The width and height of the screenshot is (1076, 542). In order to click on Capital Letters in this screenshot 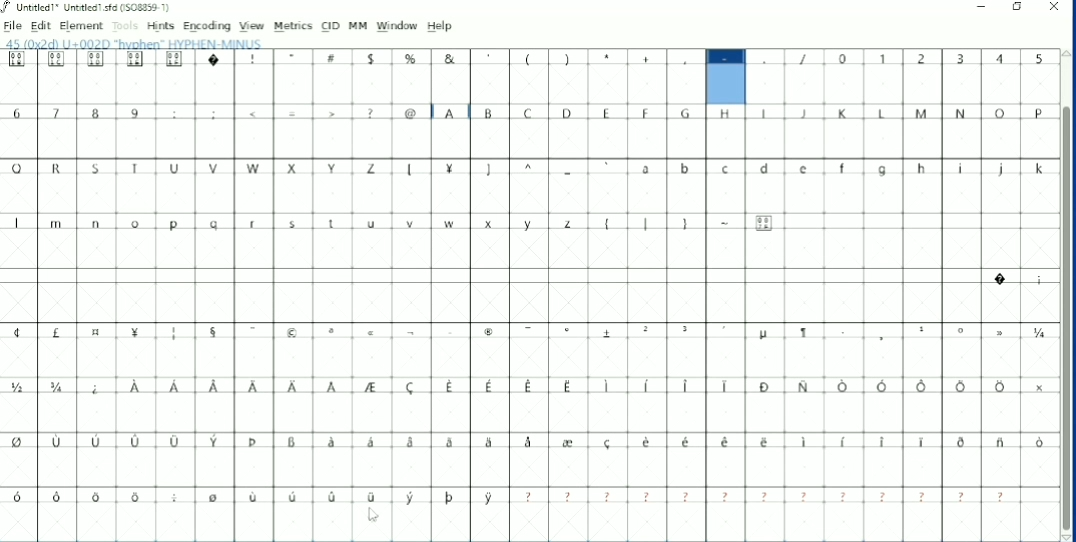, I will do `click(195, 167)`.